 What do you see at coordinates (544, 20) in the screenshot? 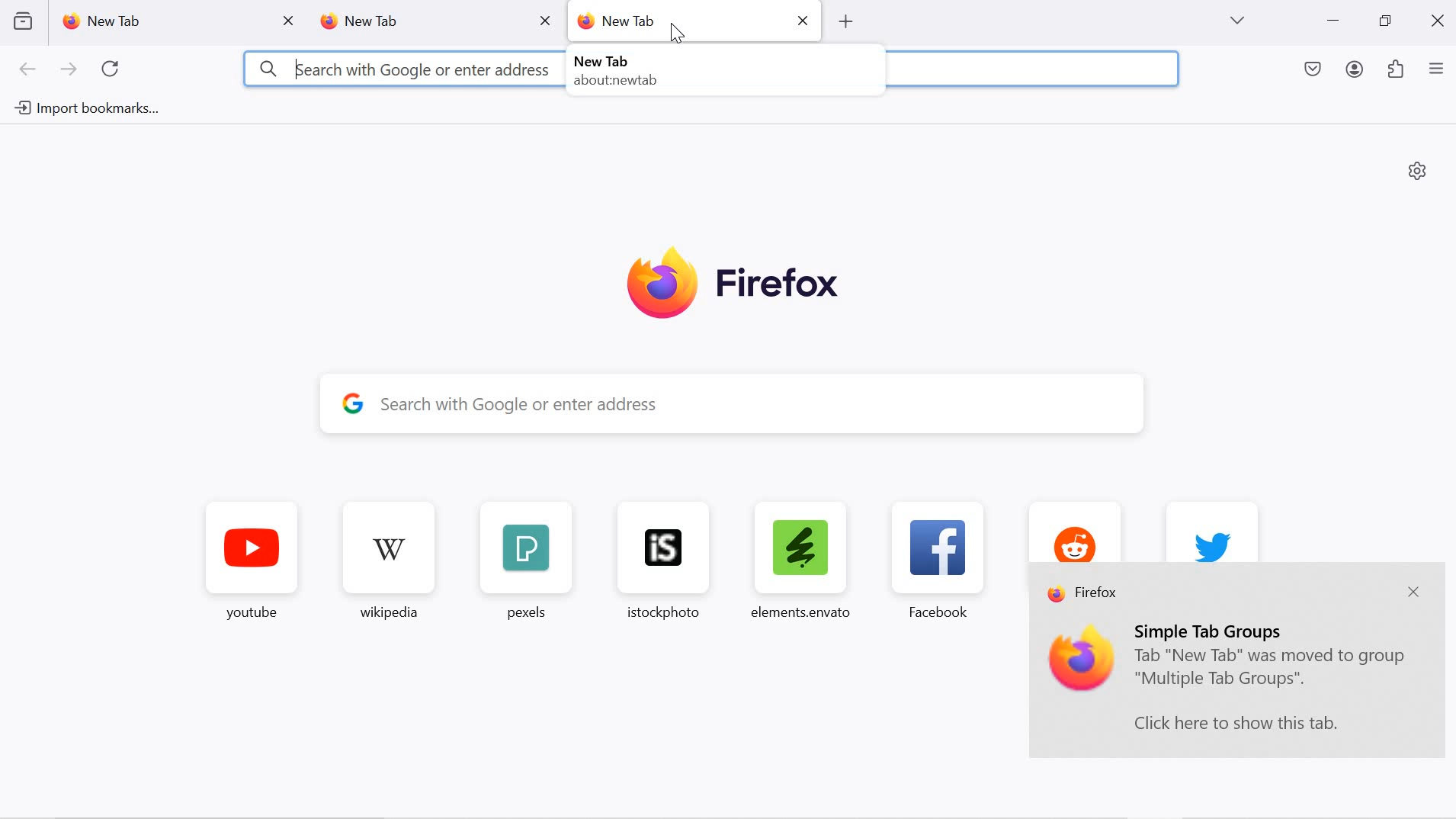
I see `close` at bounding box center [544, 20].